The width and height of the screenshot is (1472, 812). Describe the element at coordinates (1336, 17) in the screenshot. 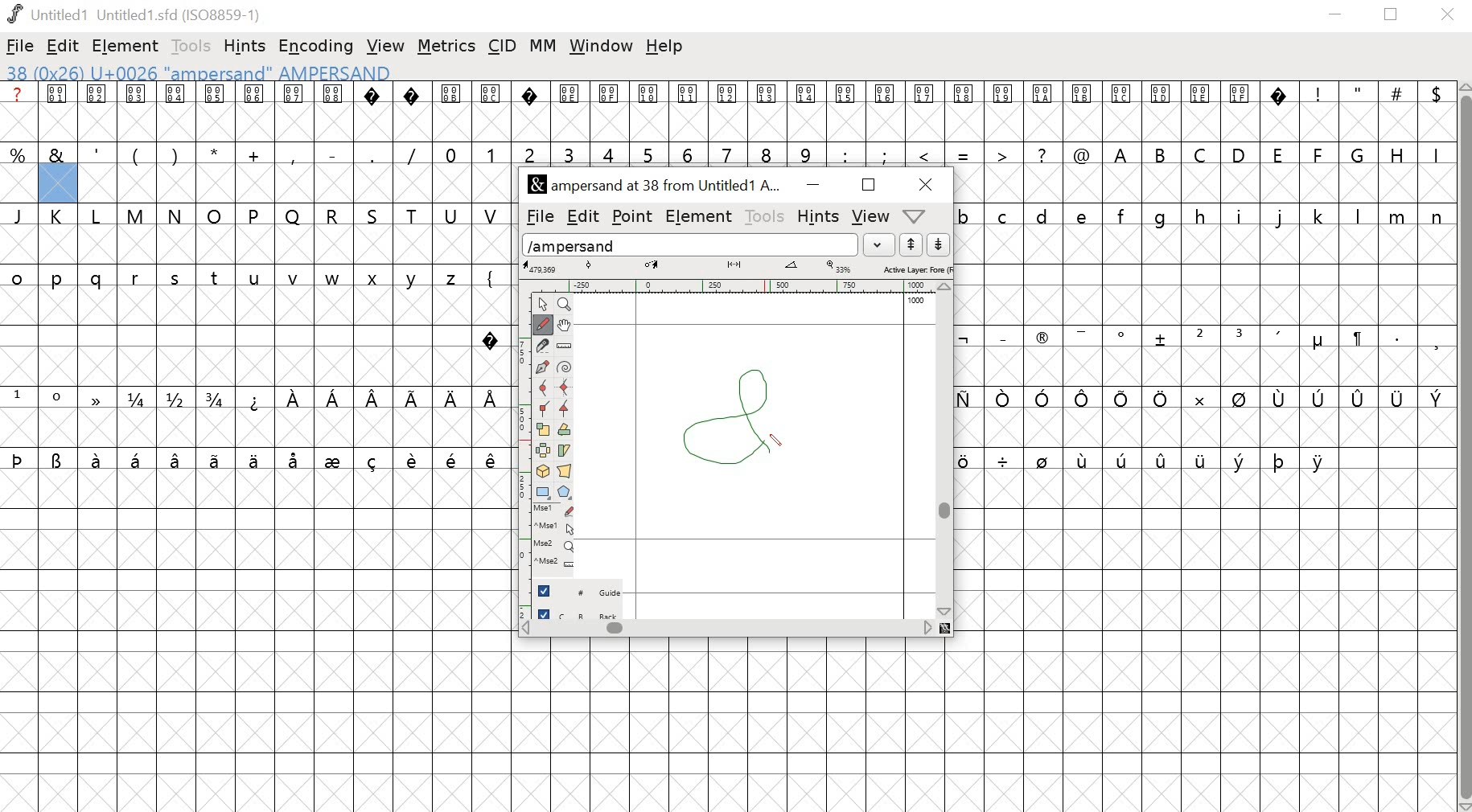

I see `minimize` at that location.